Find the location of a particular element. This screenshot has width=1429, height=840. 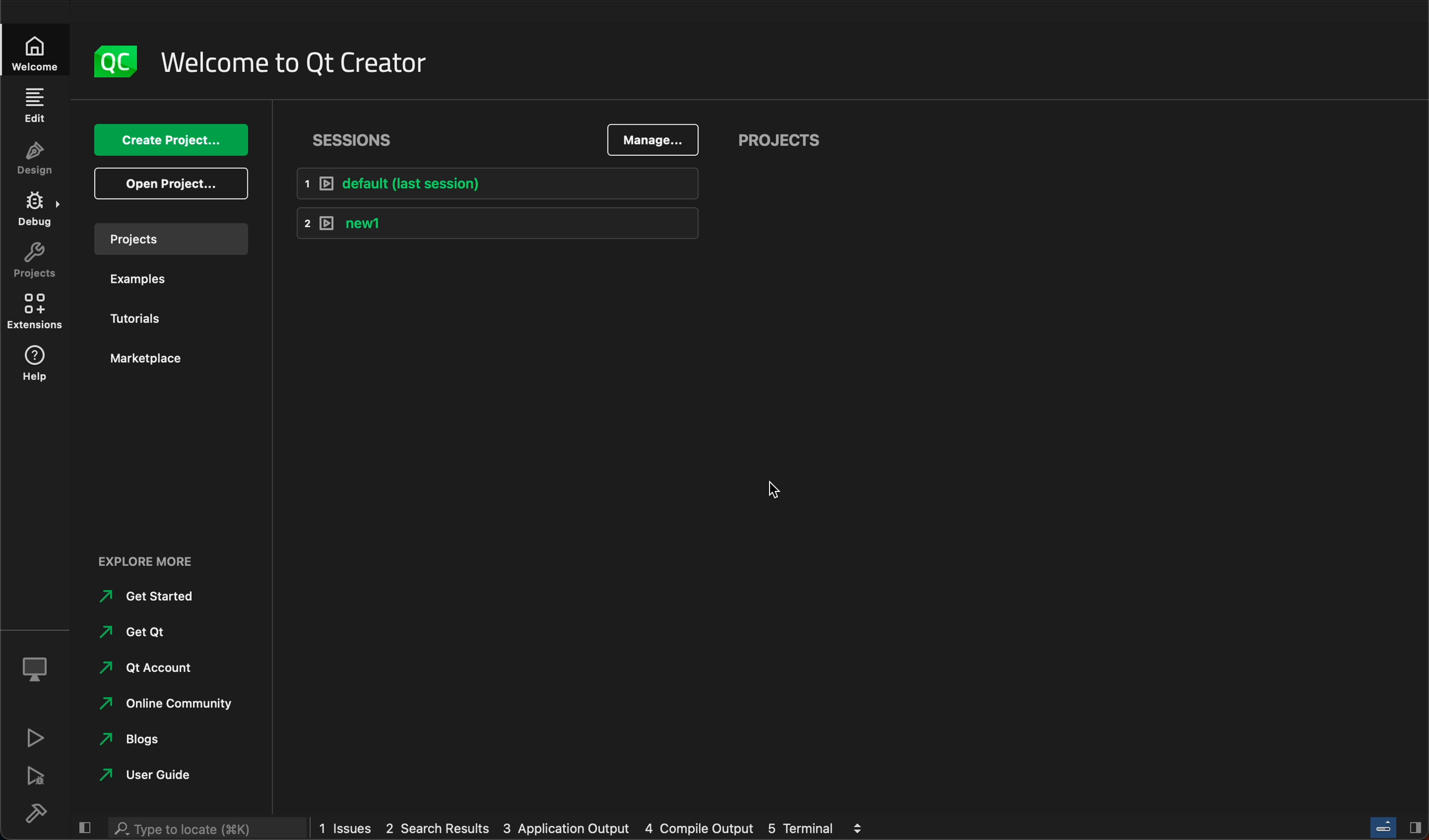

create project... is located at coordinates (171, 142).